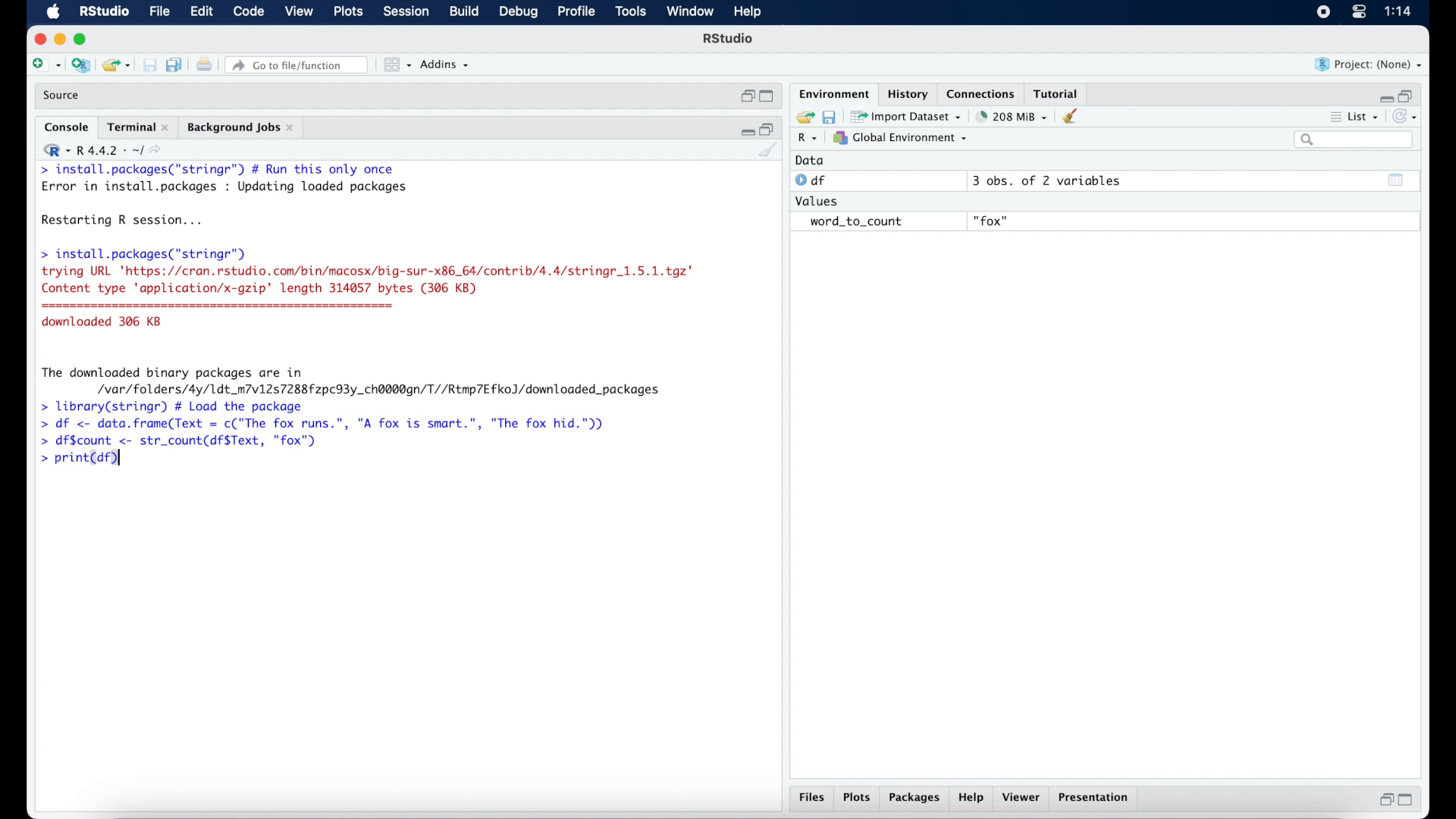  What do you see at coordinates (1050, 180) in the screenshot?
I see `3 obs, of 1 variable` at bounding box center [1050, 180].